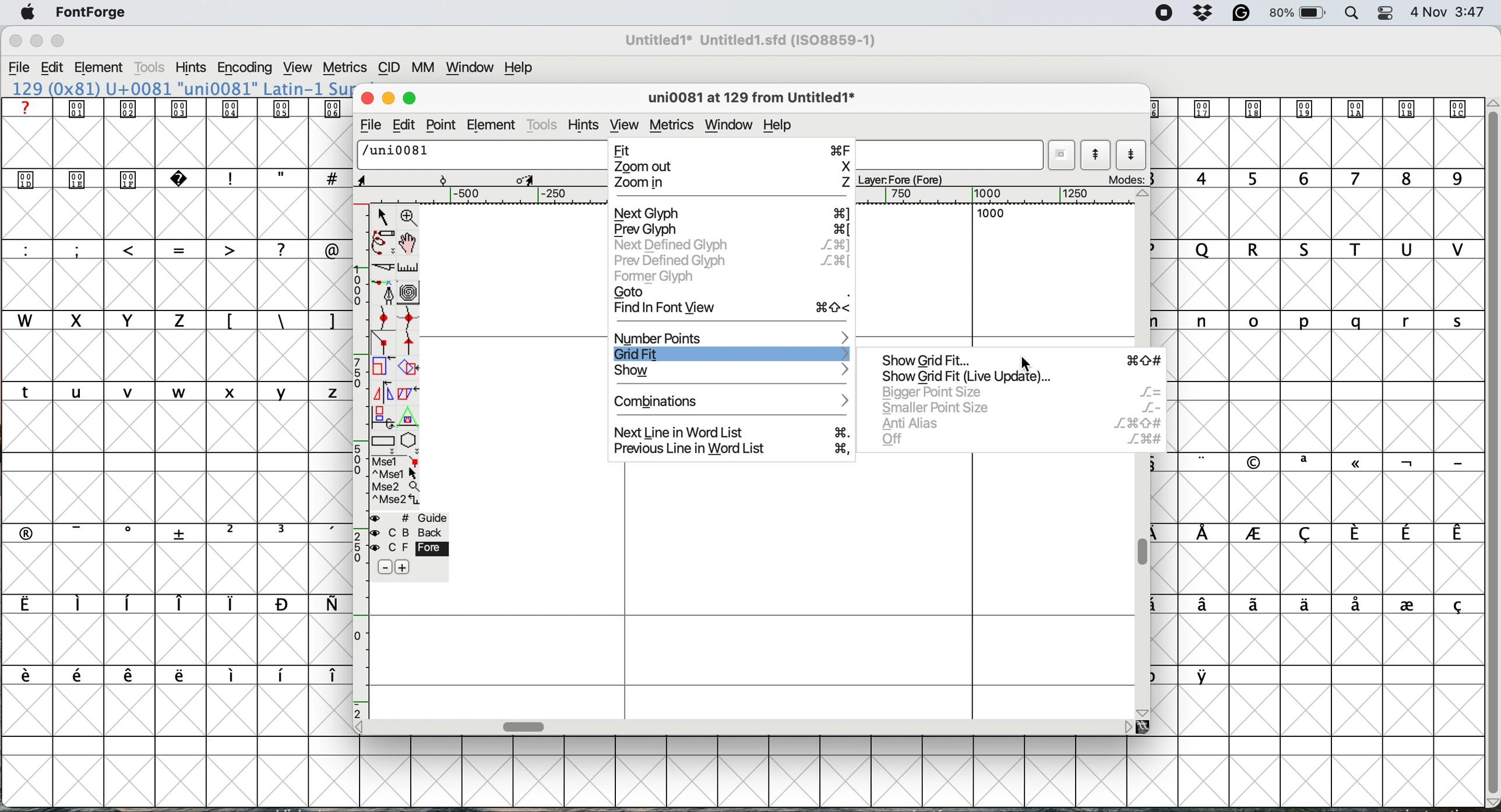  Describe the element at coordinates (1016, 394) in the screenshot. I see `bigger point size` at that location.